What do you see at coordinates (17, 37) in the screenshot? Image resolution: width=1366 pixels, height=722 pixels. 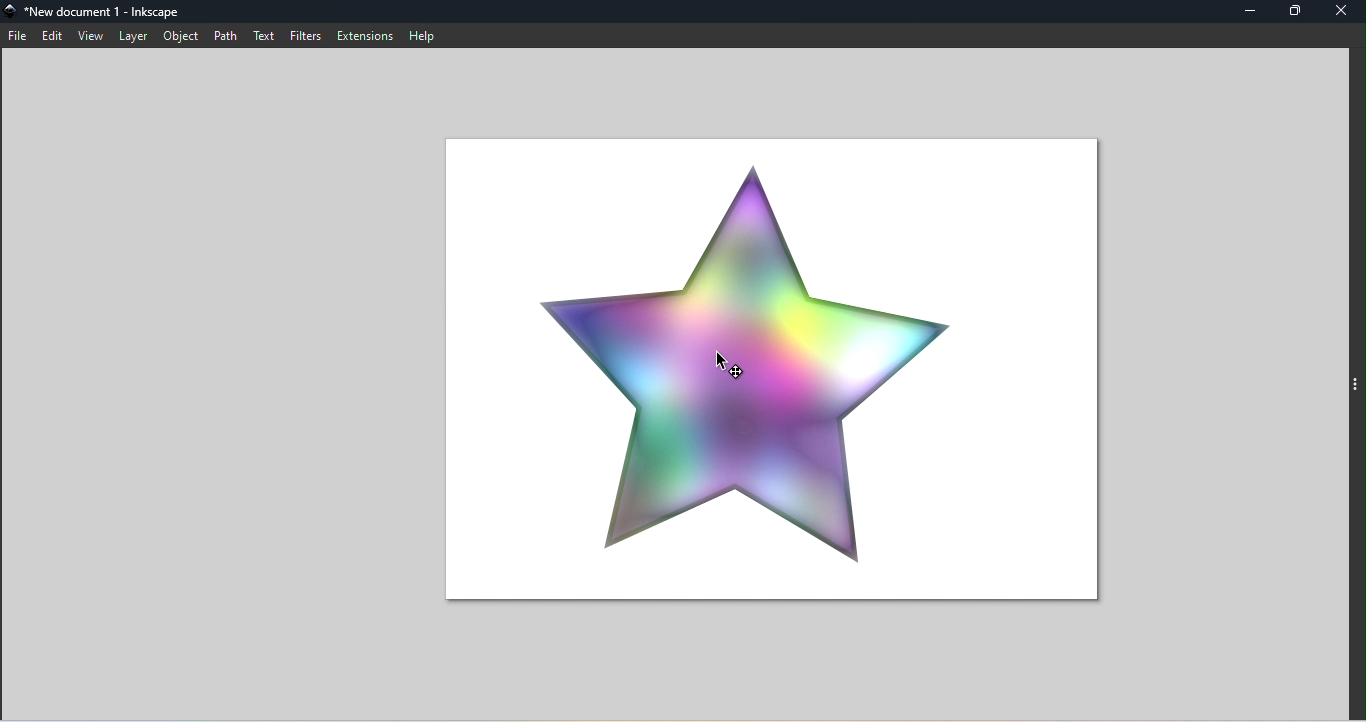 I see `File` at bounding box center [17, 37].